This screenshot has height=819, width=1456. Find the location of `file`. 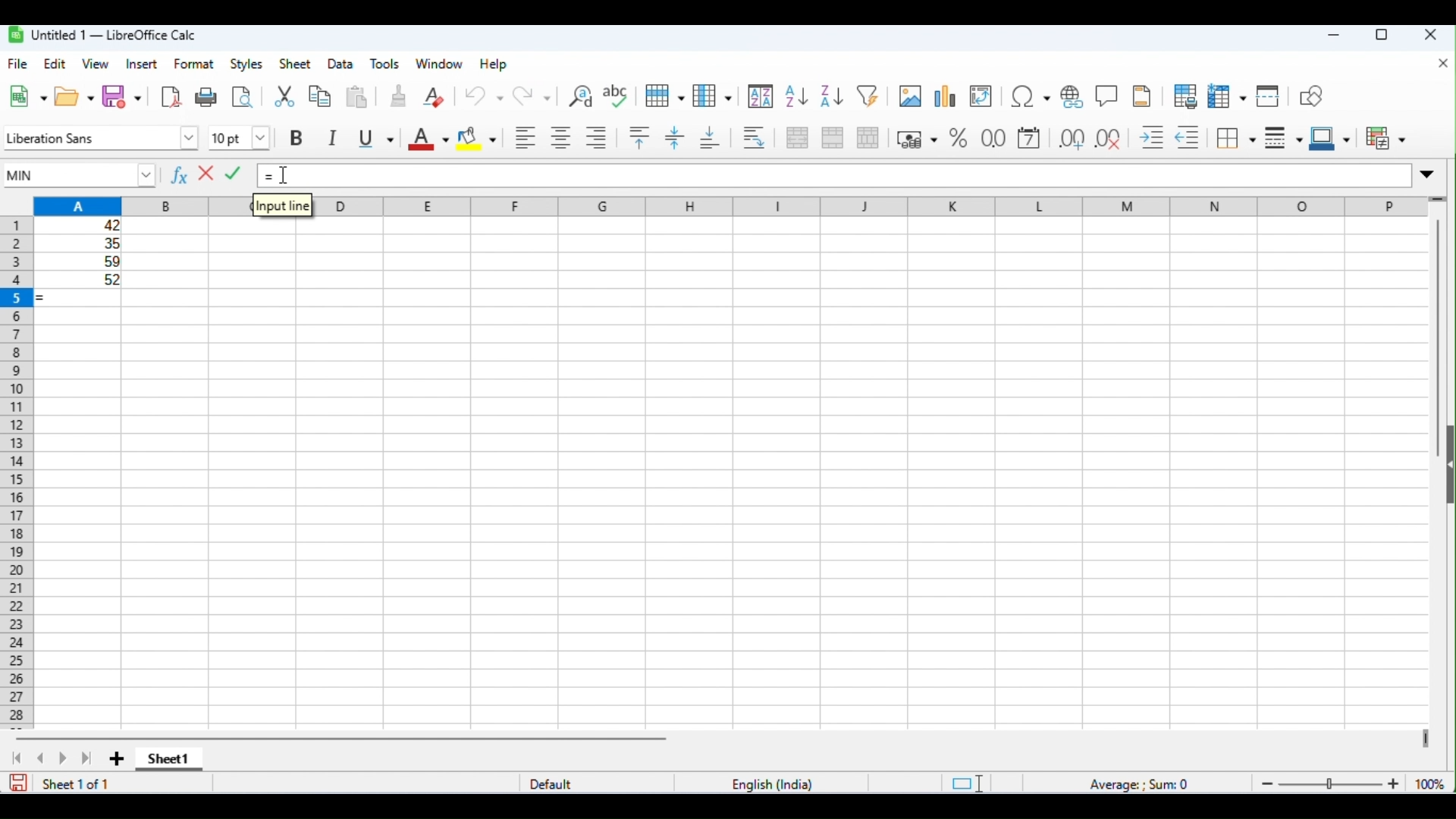

file is located at coordinates (19, 64).